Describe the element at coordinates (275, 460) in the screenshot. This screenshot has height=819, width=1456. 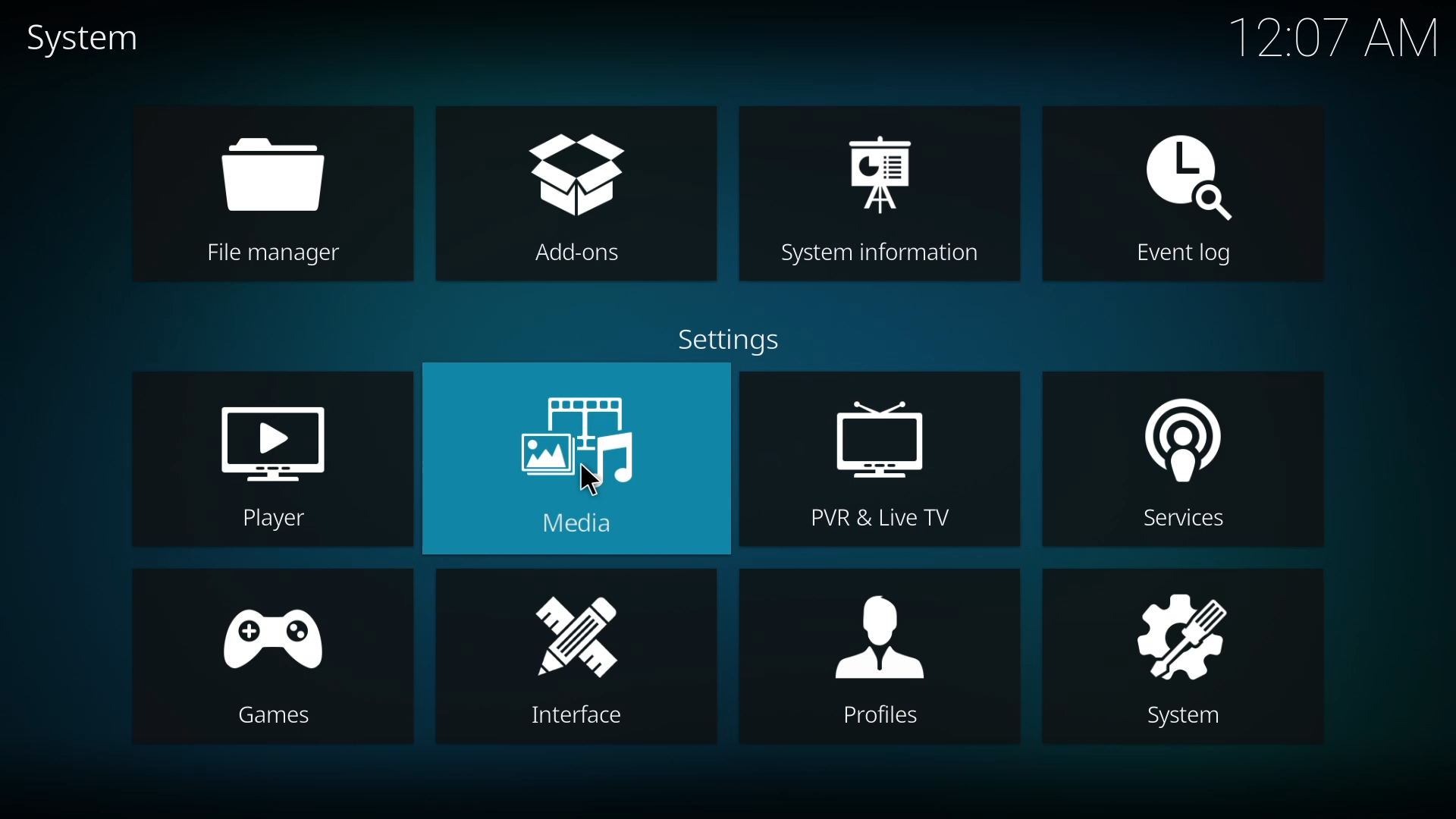
I see `player` at that location.